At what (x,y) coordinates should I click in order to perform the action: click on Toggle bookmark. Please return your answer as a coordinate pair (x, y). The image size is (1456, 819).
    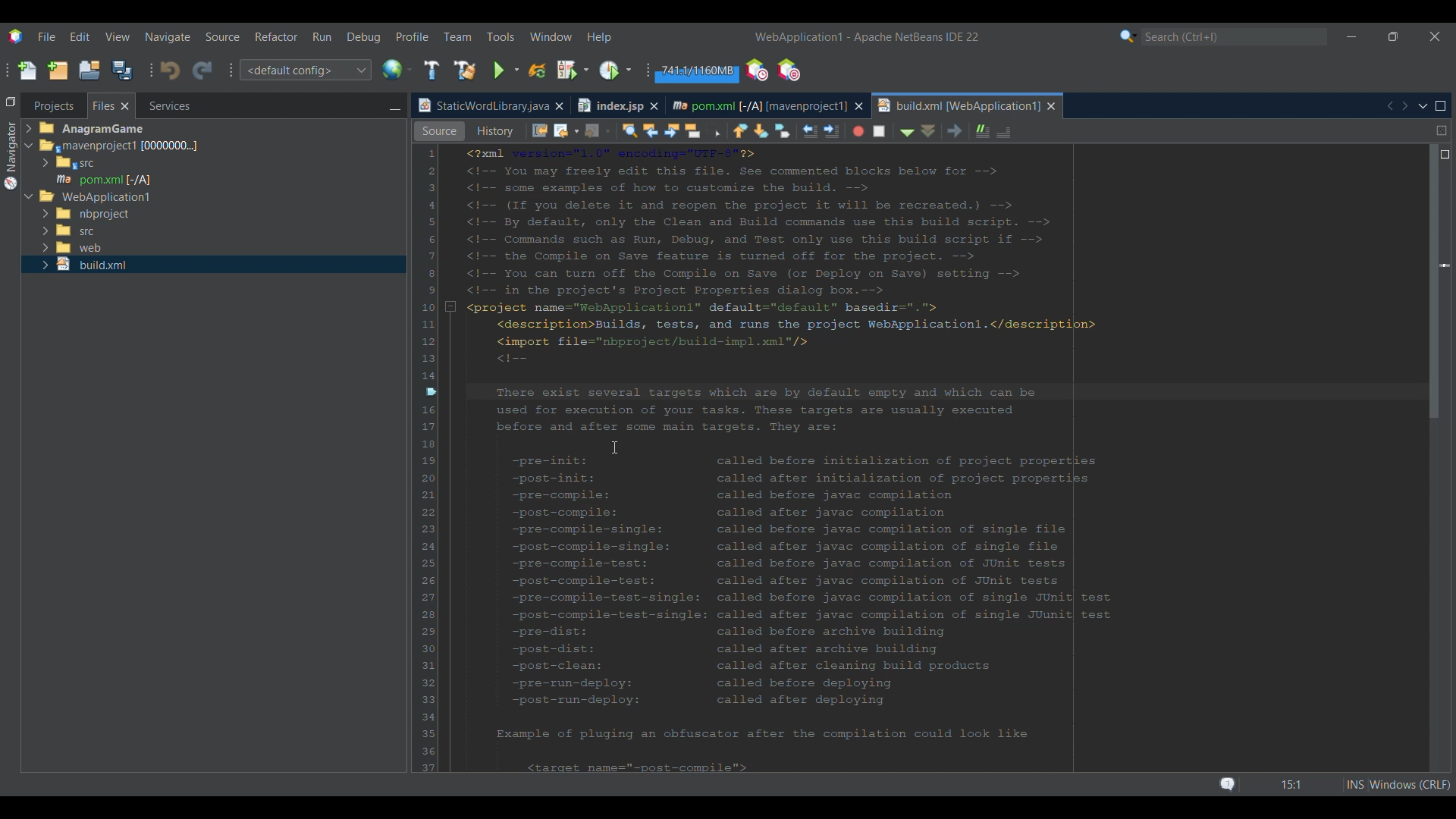
    Looking at the image, I should click on (919, 130).